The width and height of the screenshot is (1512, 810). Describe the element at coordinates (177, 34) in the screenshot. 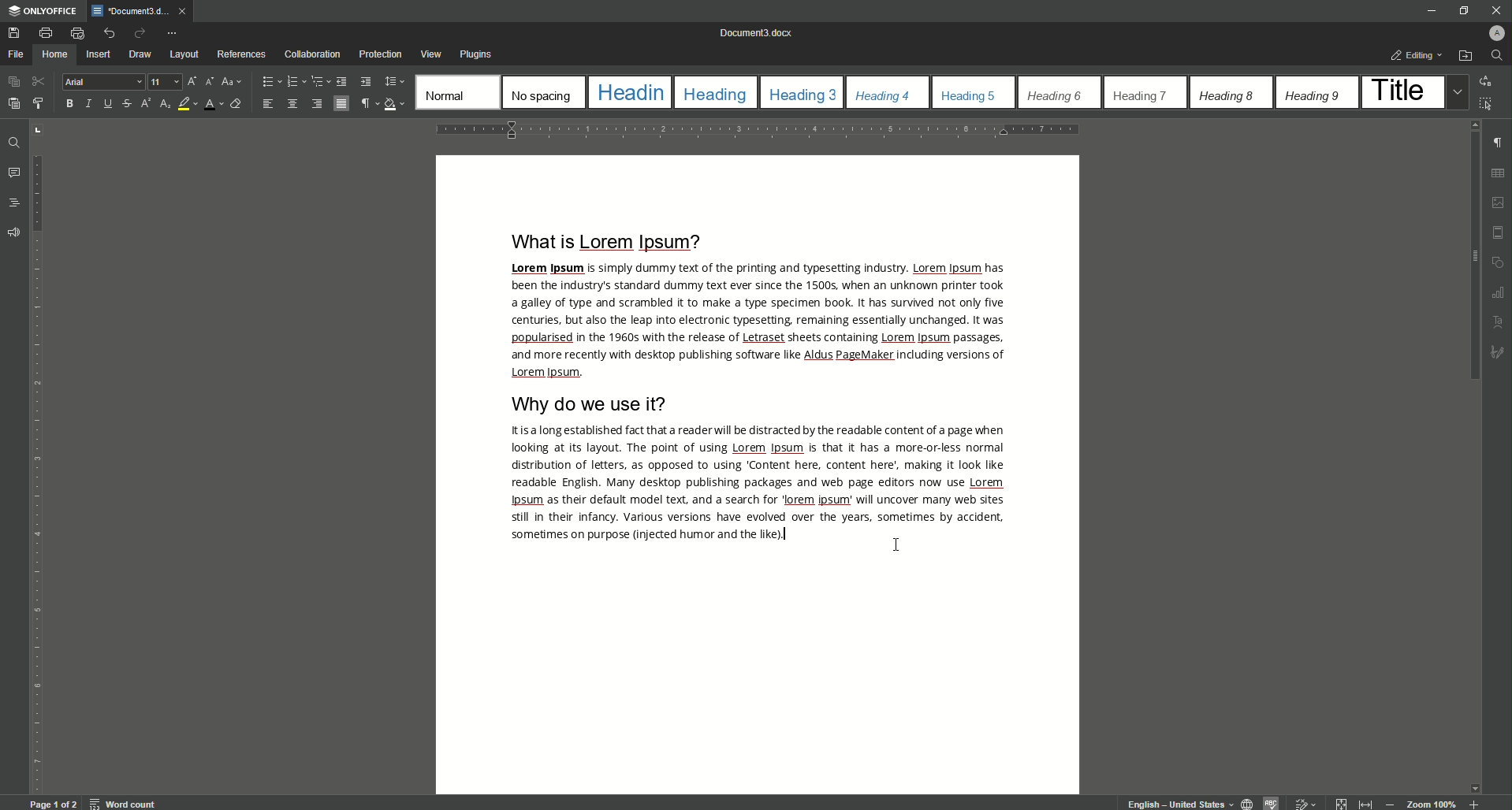

I see `Customize` at that location.